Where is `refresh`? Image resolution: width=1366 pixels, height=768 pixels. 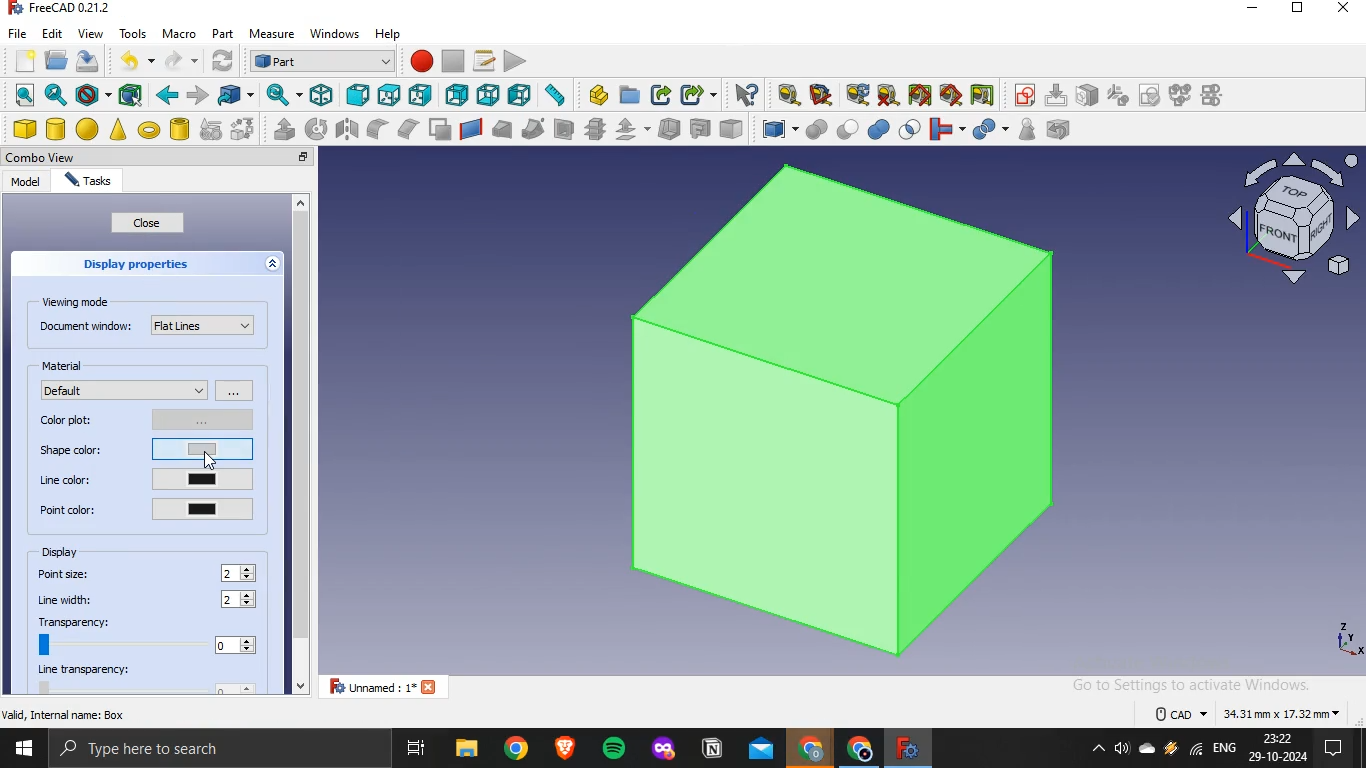
refresh is located at coordinates (220, 61).